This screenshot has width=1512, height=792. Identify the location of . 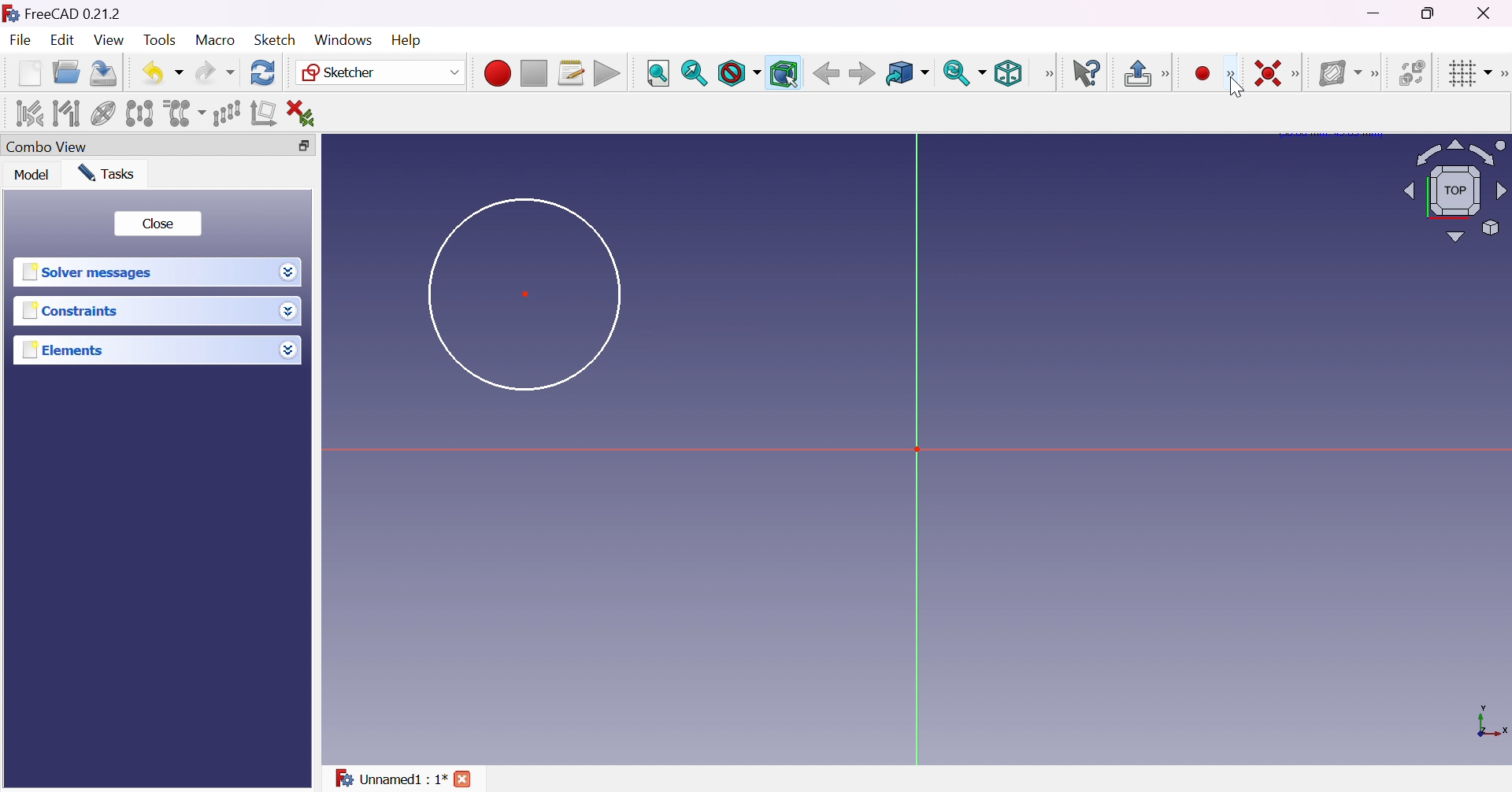
(965, 74).